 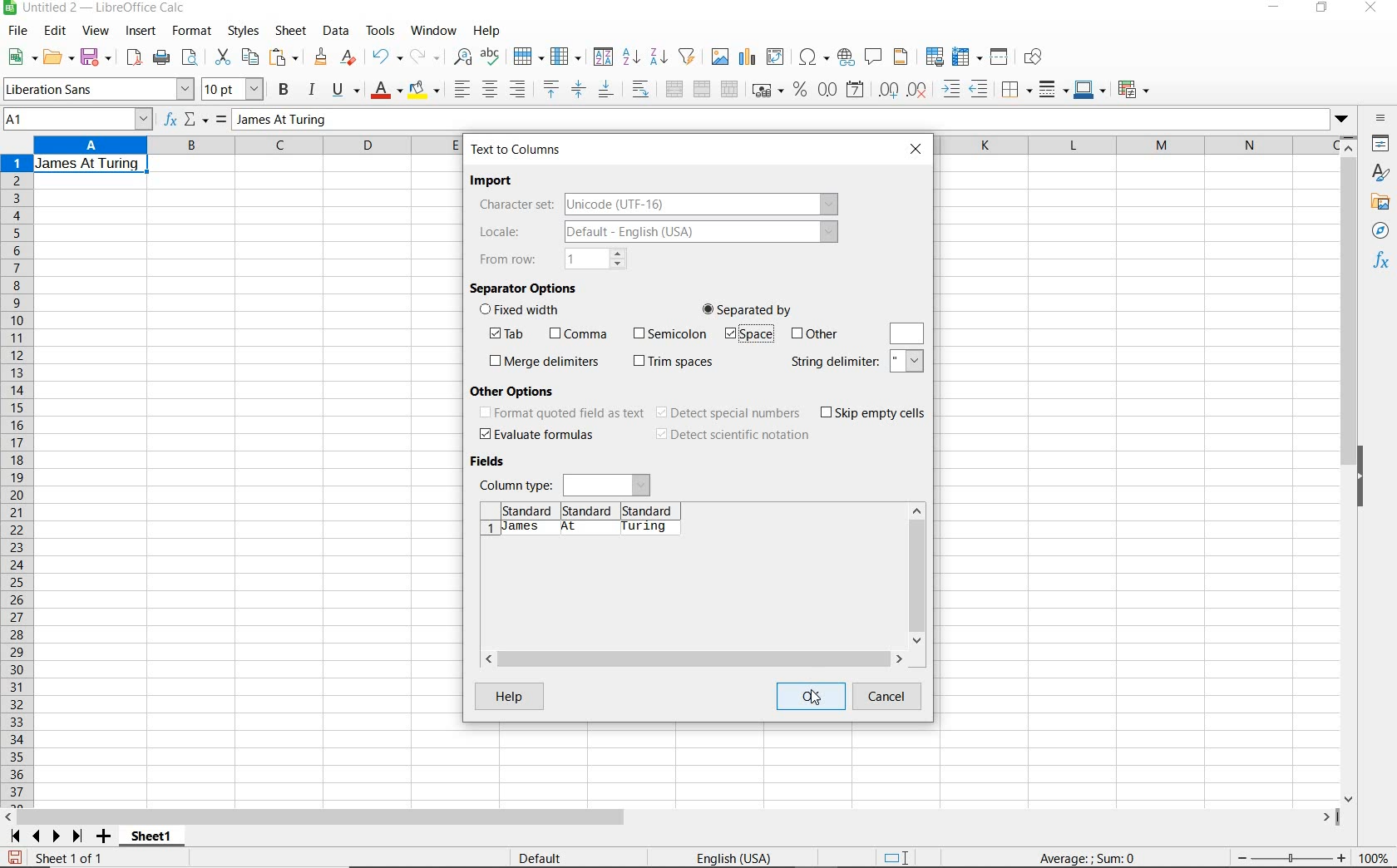 I want to click on border style, so click(x=1018, y=88).